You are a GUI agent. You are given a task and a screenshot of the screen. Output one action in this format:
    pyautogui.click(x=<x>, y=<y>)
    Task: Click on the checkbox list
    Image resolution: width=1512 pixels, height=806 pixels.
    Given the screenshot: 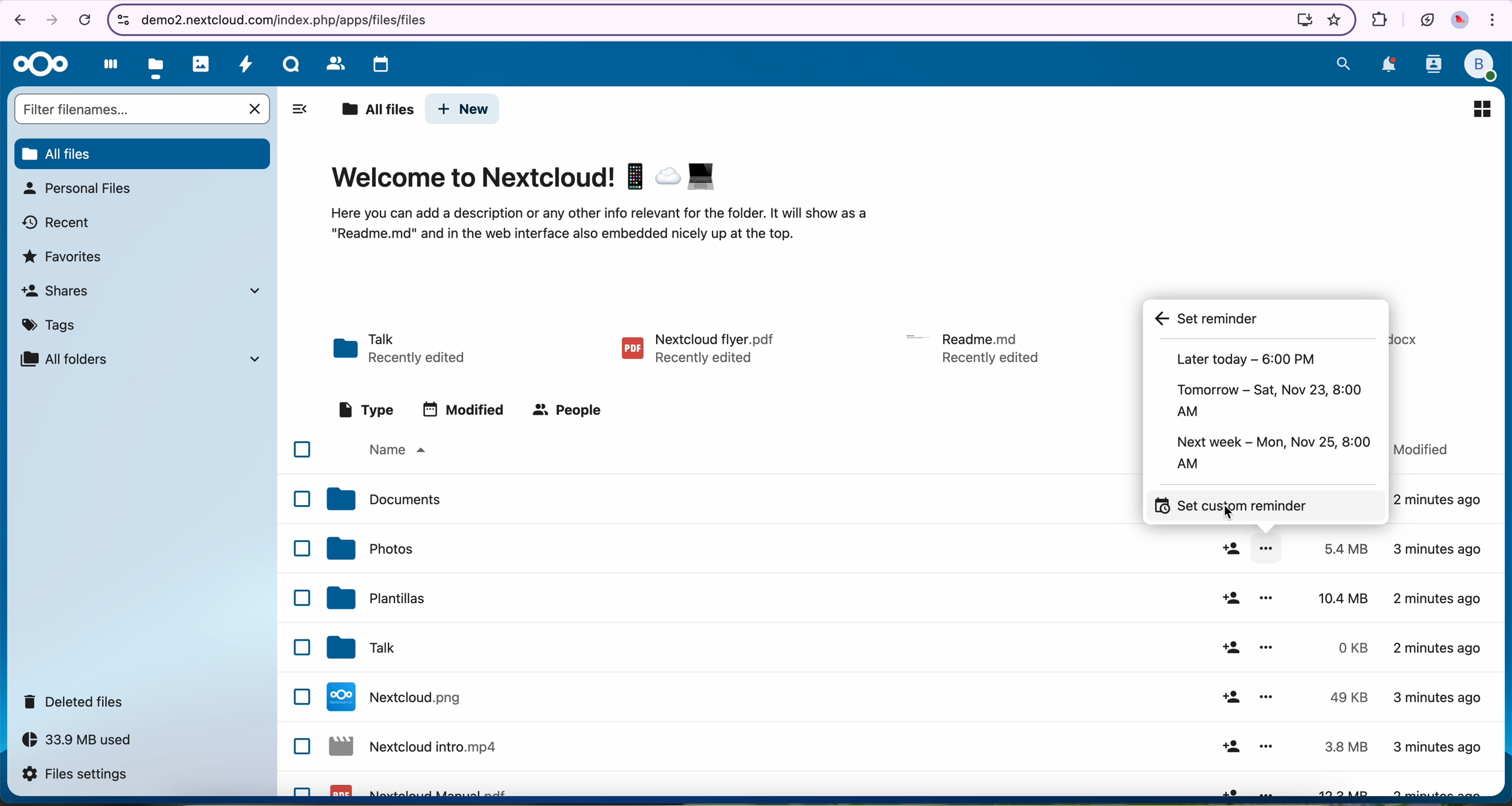 What is the action you would take?
    pyautogui.click(x=298, y=614)
    